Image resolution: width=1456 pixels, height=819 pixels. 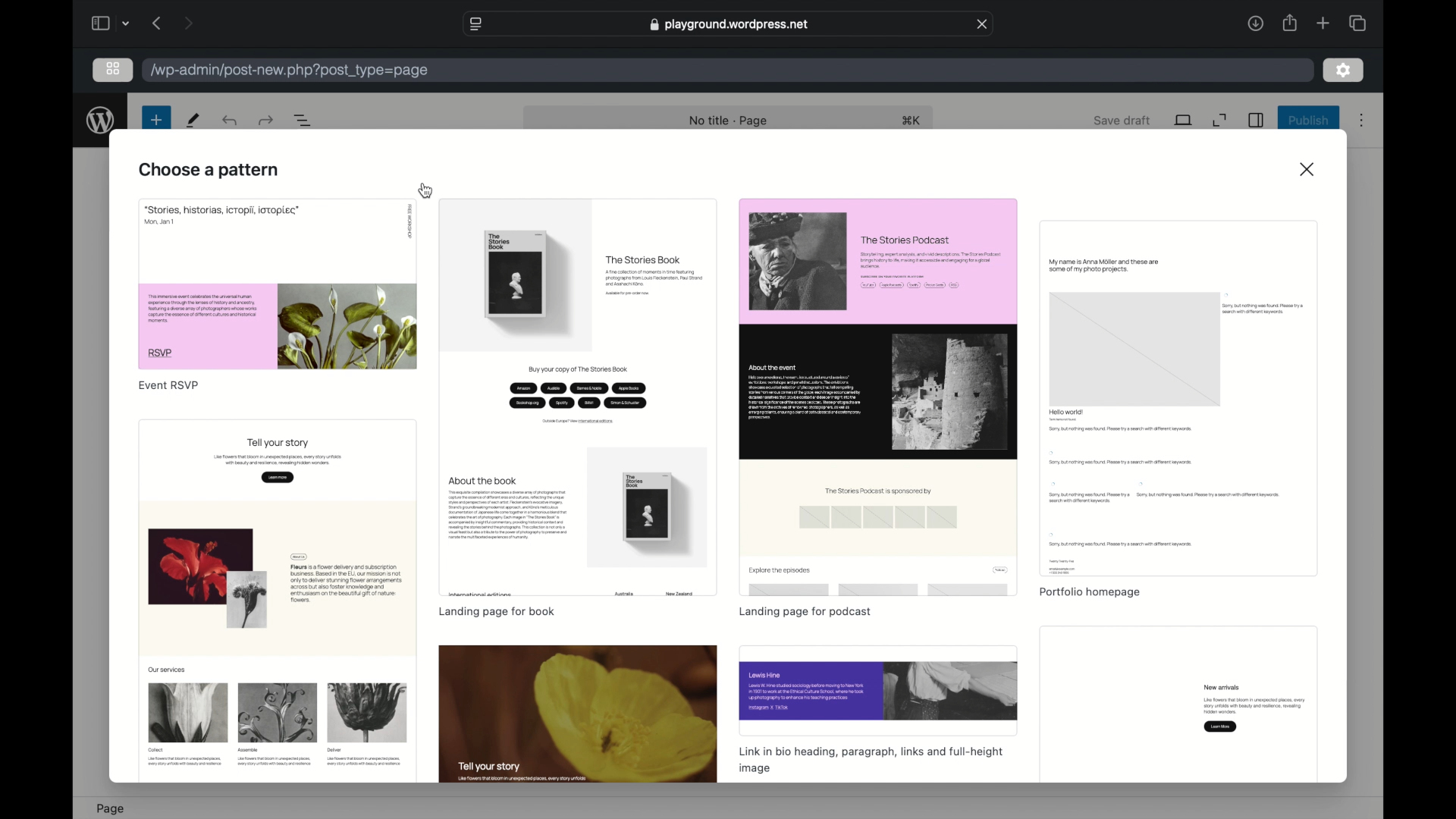 I want to click on preview, so click(x=275, y=284).